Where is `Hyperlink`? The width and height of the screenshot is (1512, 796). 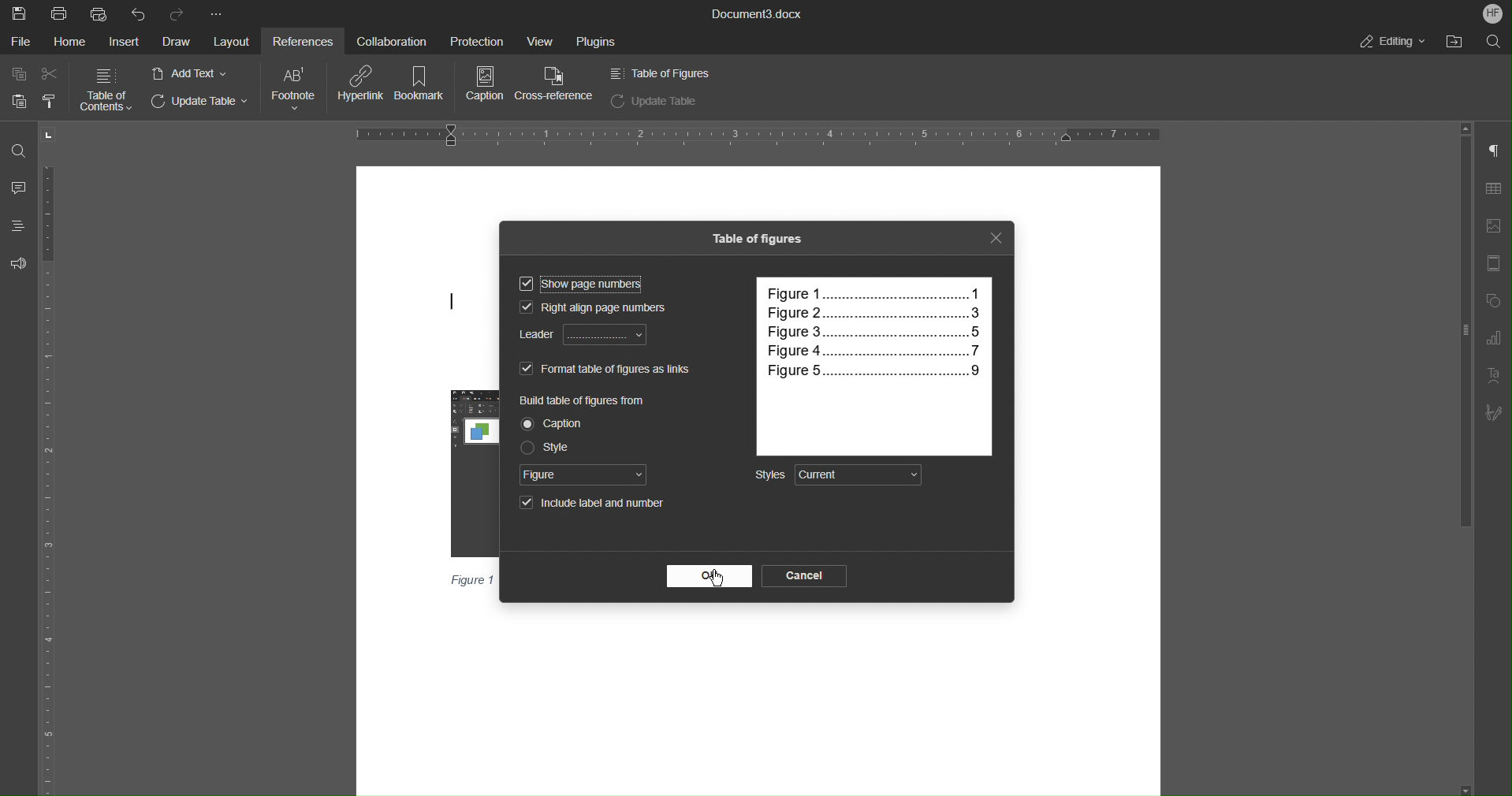
Hyperlink is located at coordinates (363, 85).